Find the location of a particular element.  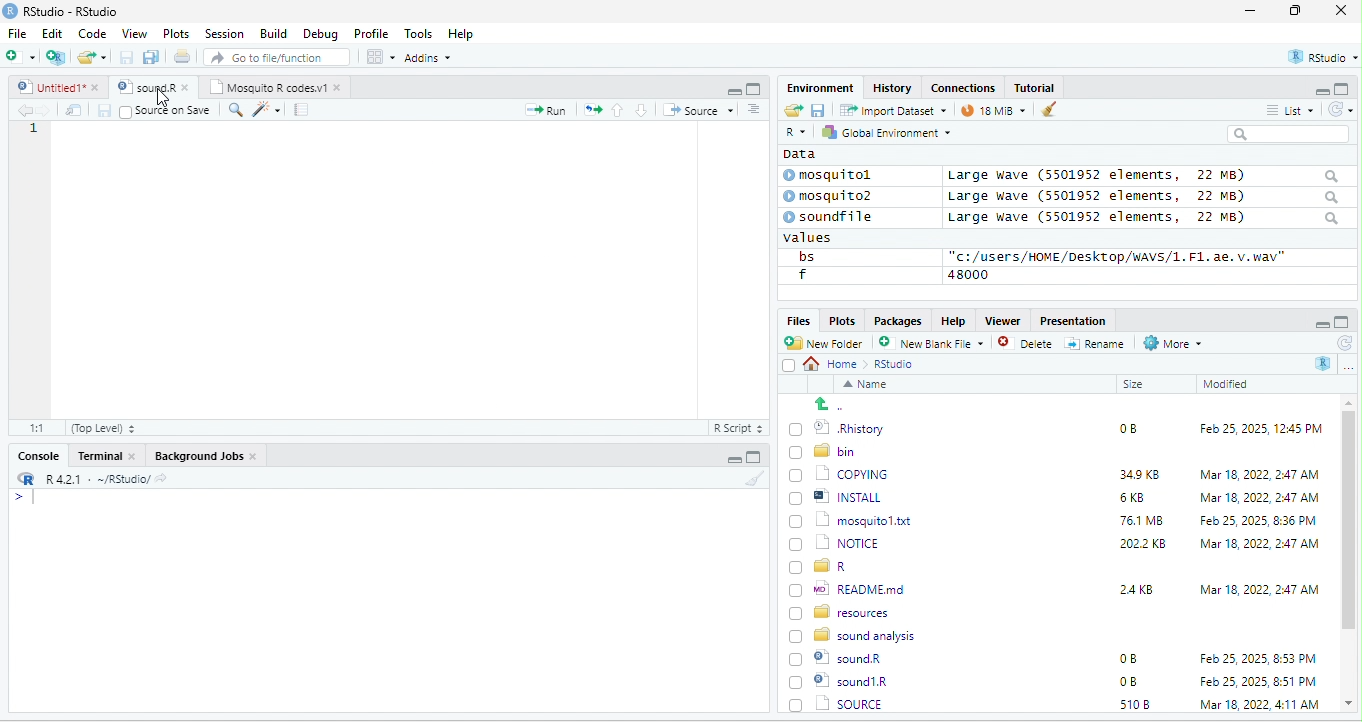

note is located at coordinates (302, 109).